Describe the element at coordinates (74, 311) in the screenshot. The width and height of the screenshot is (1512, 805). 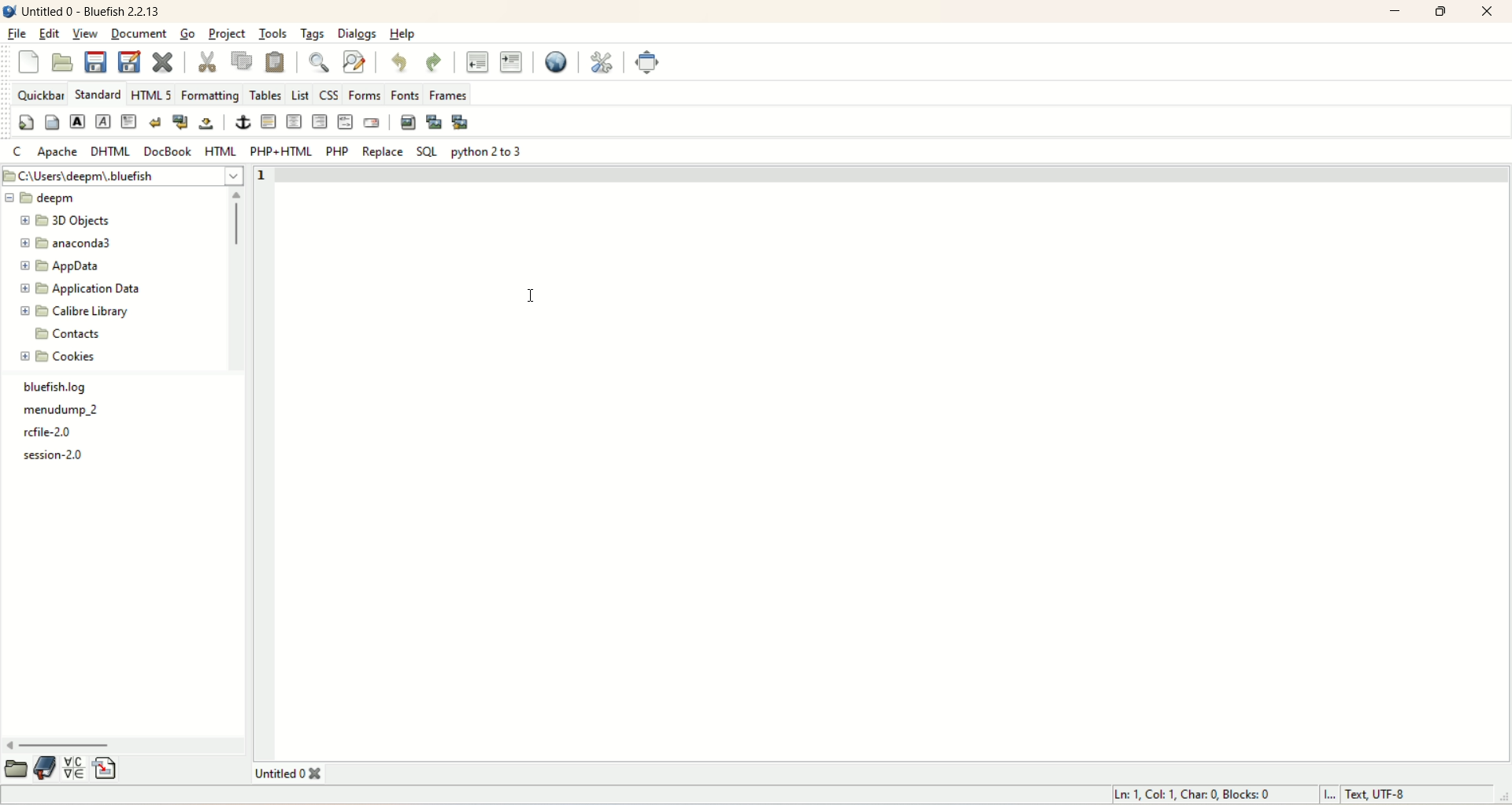
I see `calibre` at that location.